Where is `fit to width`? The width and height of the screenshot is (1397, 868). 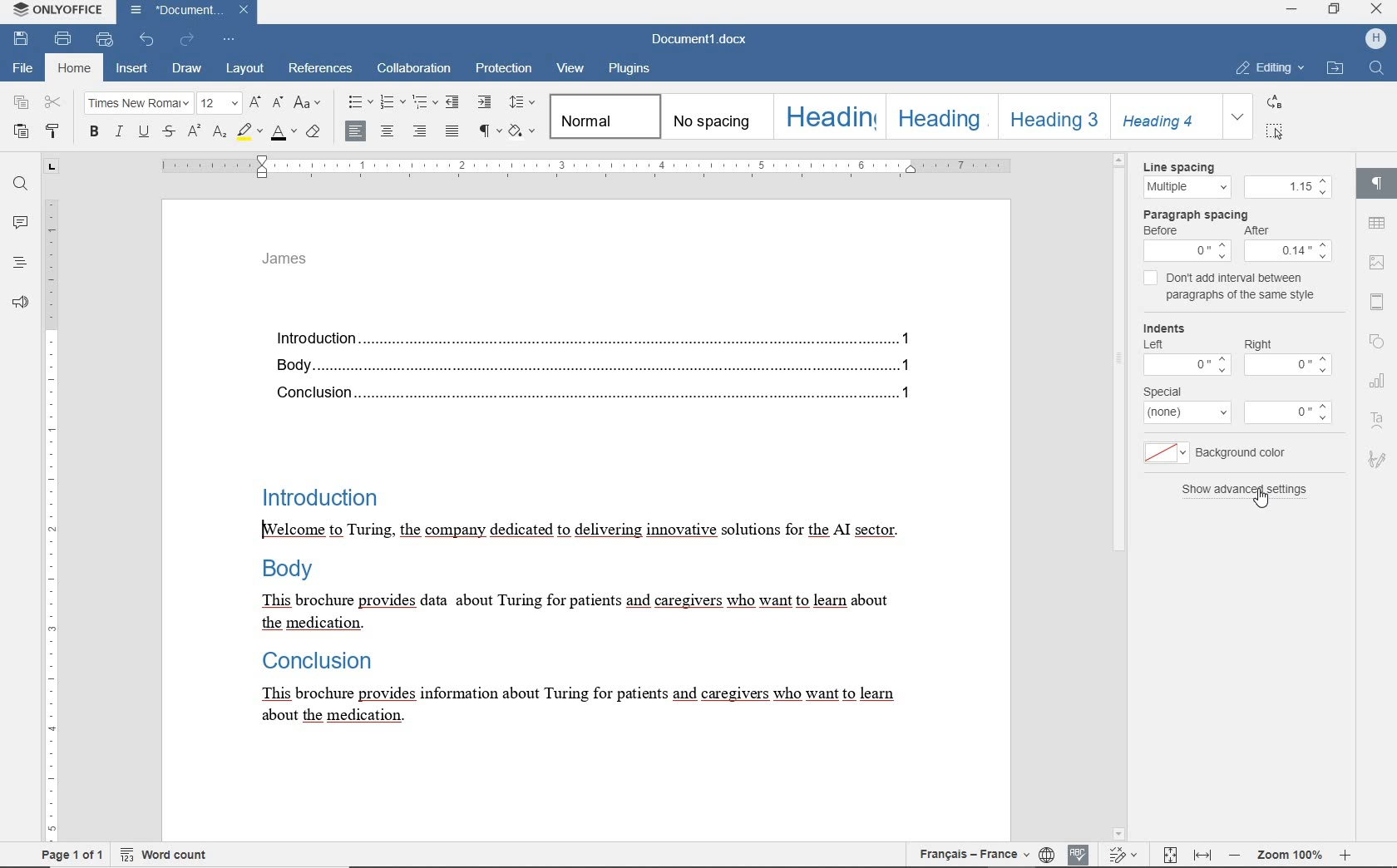 fit to width is located at coordinates (1200, 856).